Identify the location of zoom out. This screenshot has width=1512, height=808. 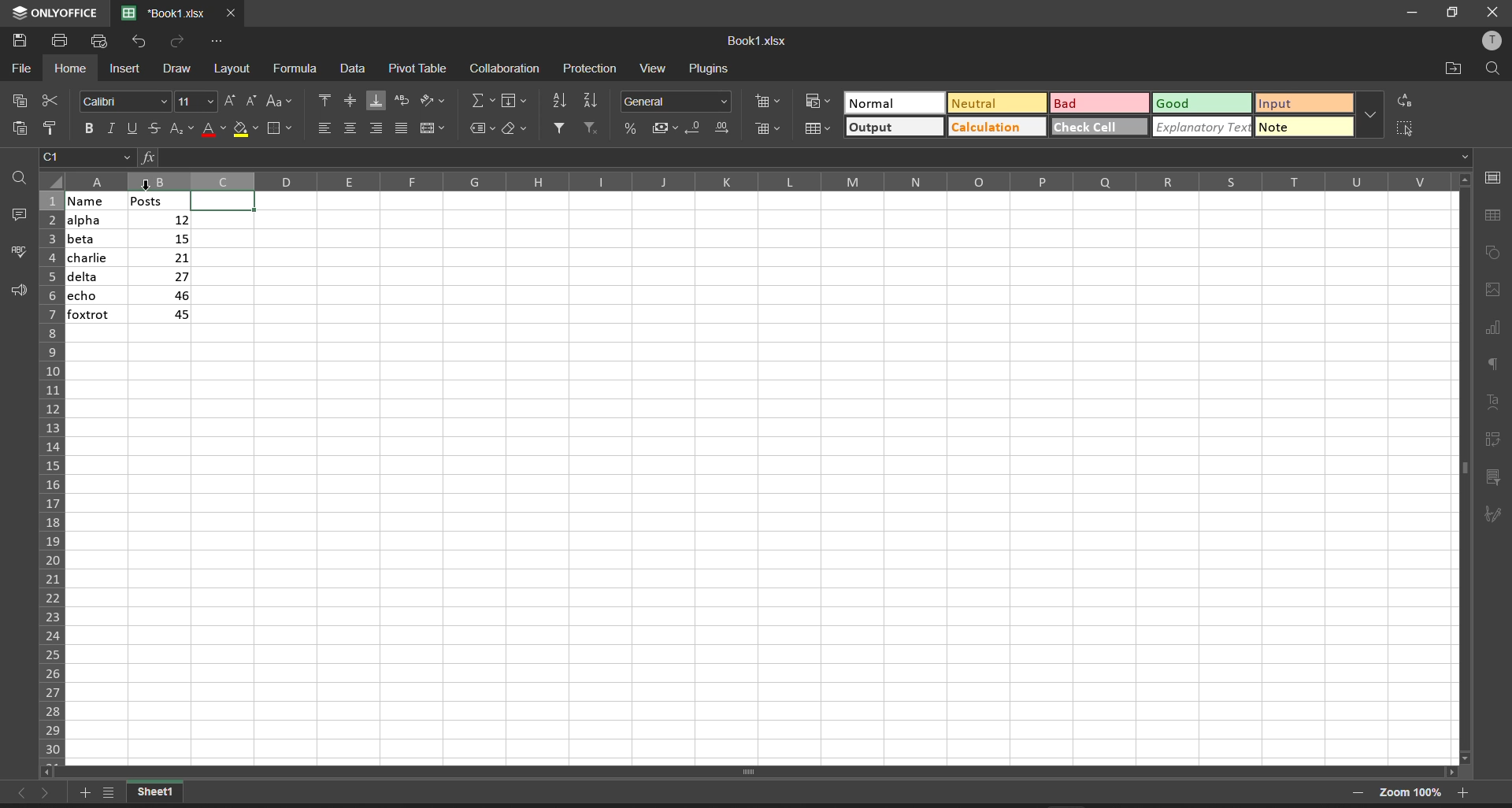
(1358, 791).